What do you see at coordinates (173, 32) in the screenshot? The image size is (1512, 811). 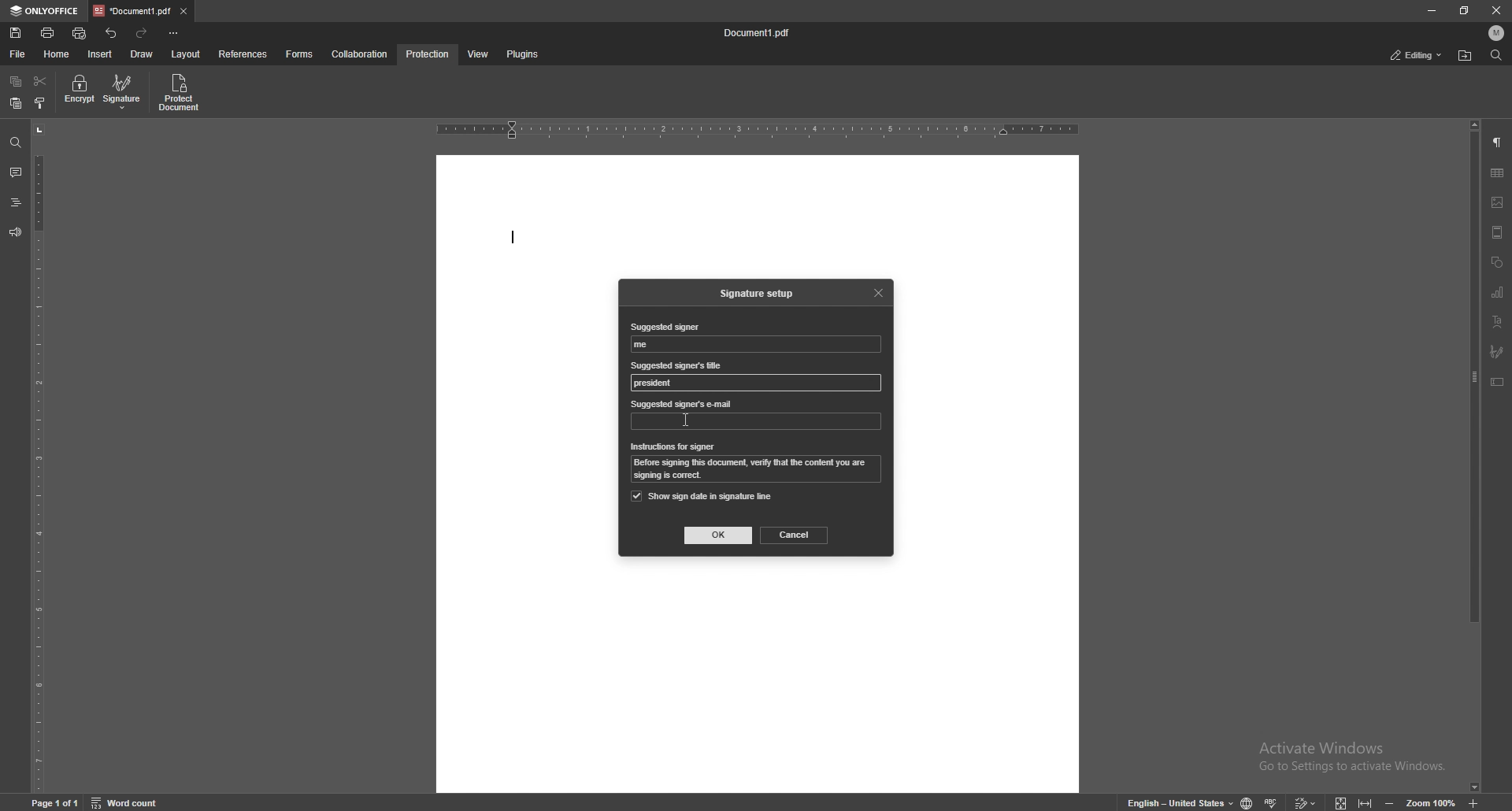 I see `customize toolbar` at bounding box center [173, 32].